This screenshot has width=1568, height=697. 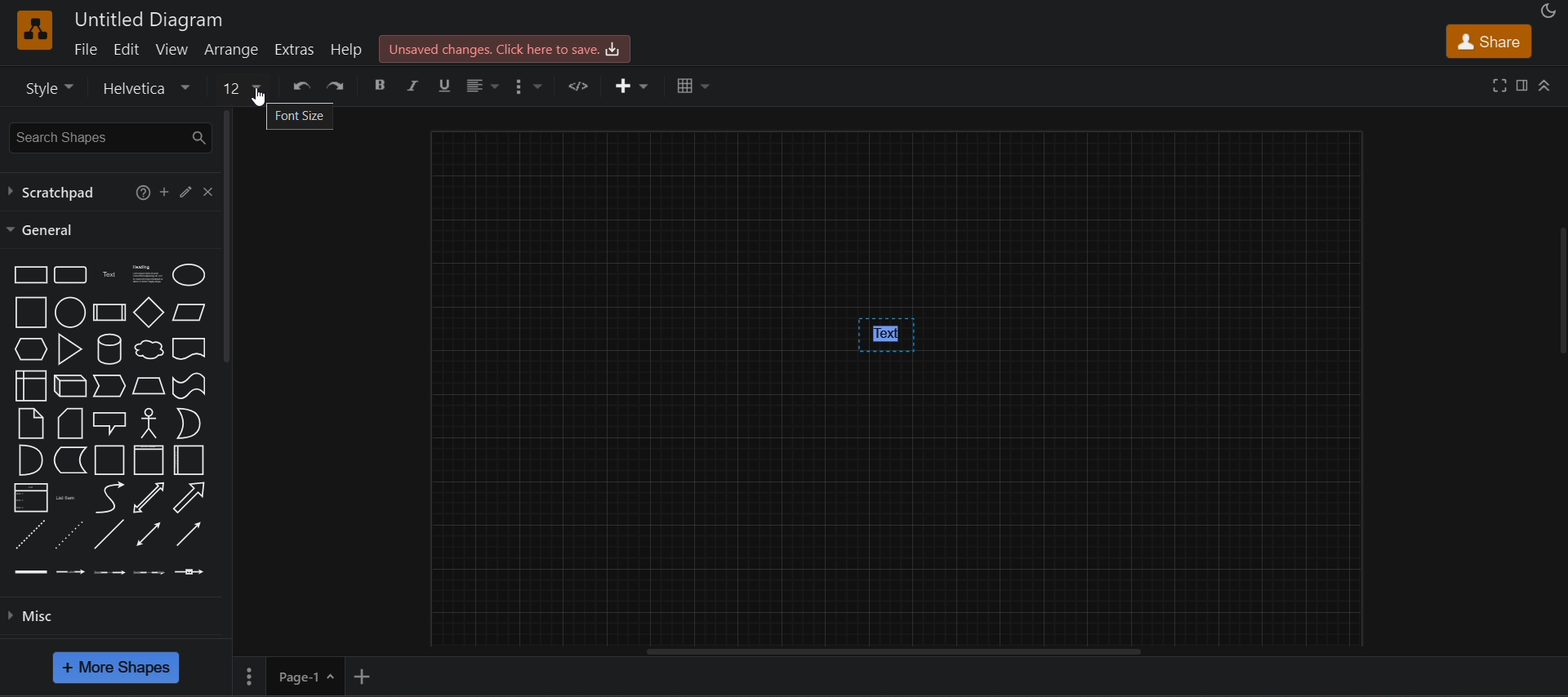 What do you see at coordinates (447, 87) in the screenshot?
I see `underline` at bounding box center [447, 87].